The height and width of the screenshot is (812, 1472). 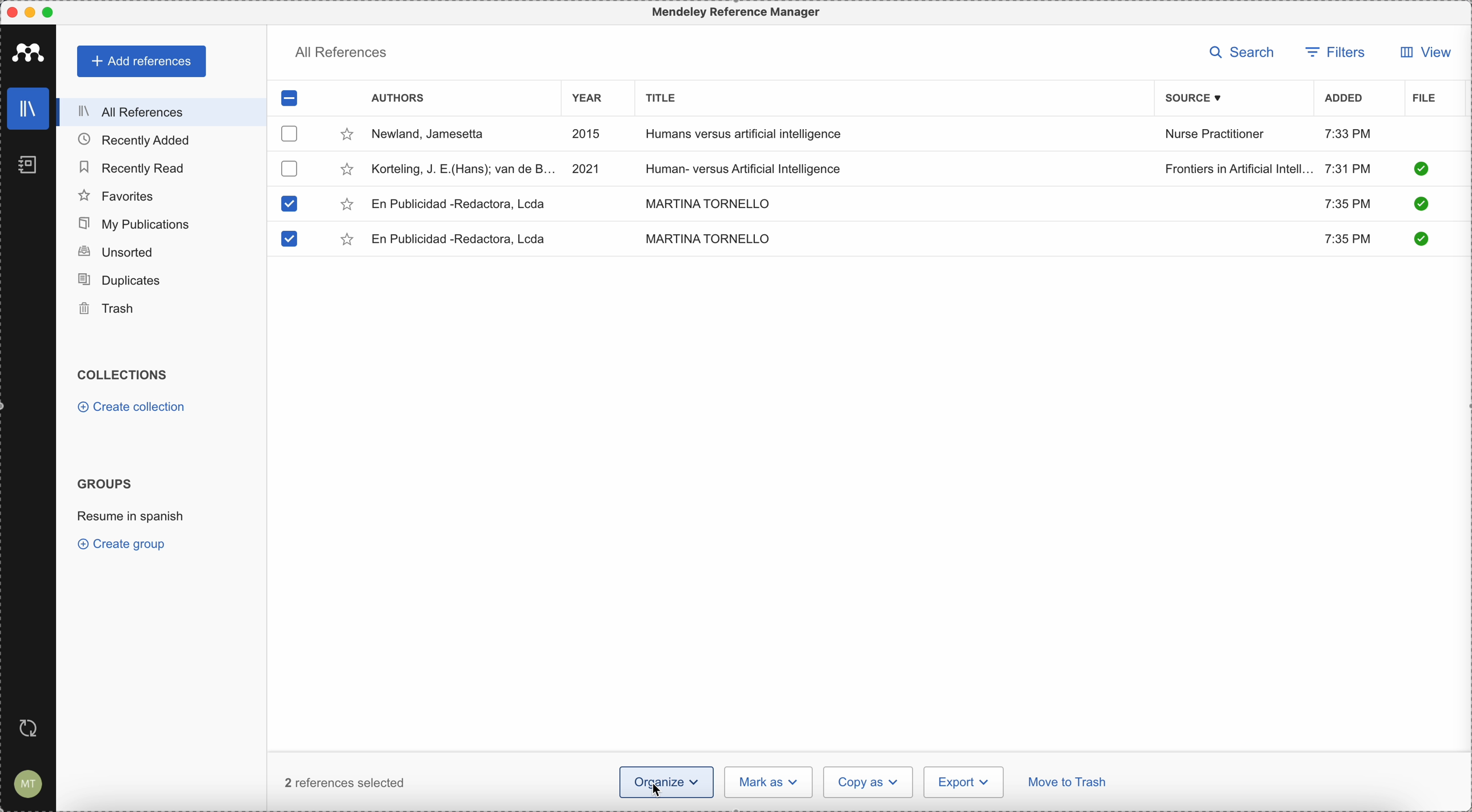 What do you see at coordinates (1348, 167) in the screenshot?
I see `7:31 PM` at bounding box center [1348, 167].